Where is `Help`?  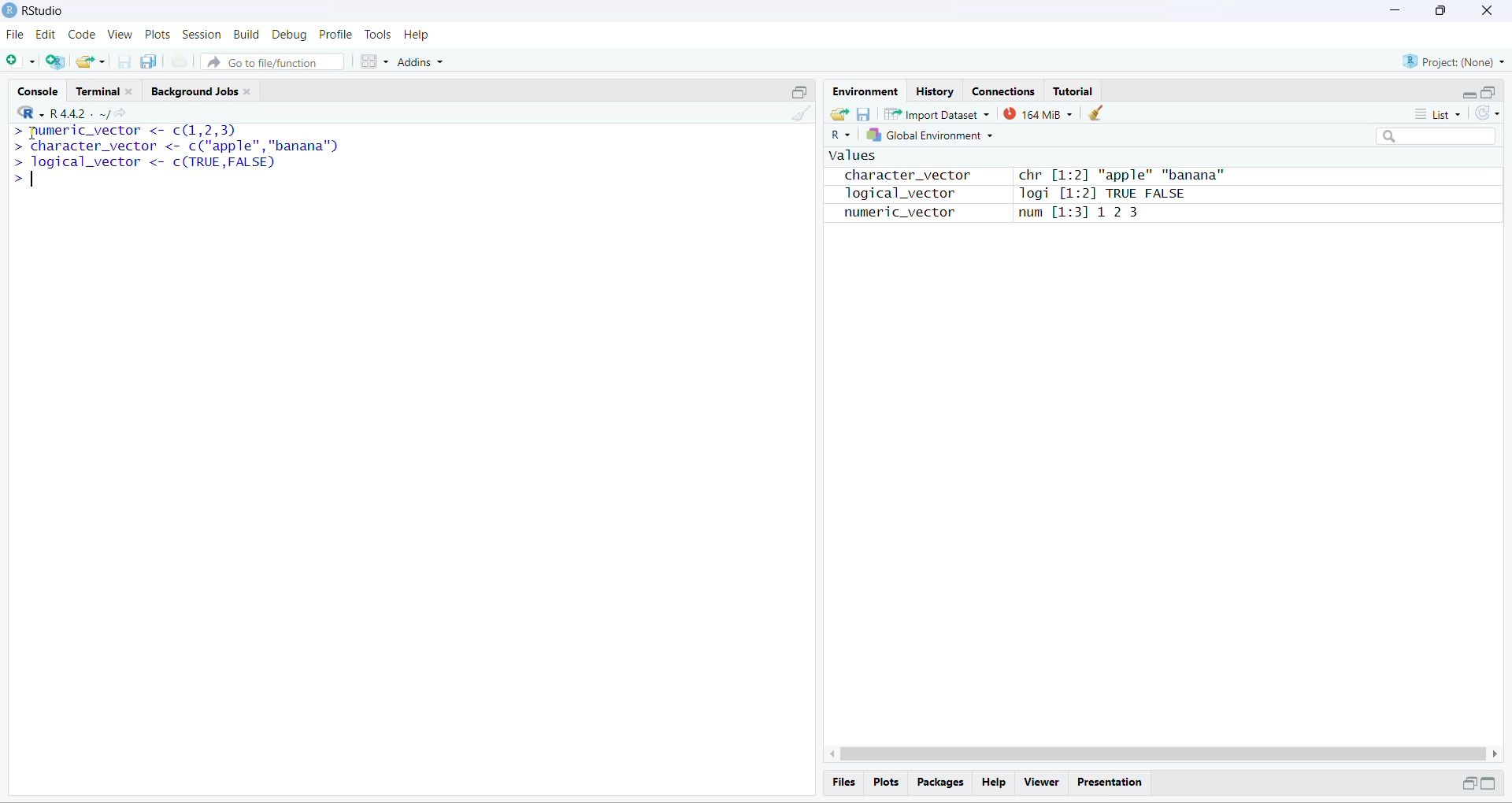 Help is located at coordinates (993, 783).